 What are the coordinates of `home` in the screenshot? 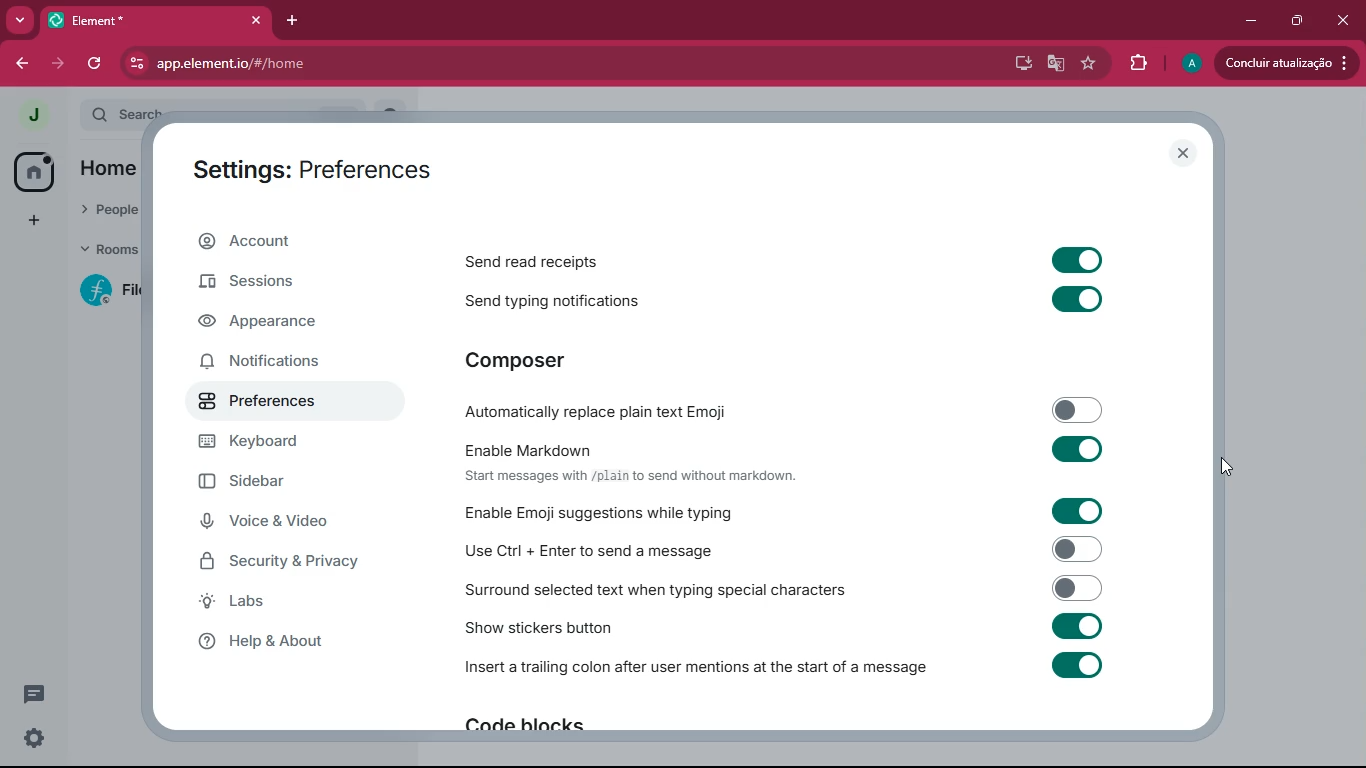 It's located at (114, 171).